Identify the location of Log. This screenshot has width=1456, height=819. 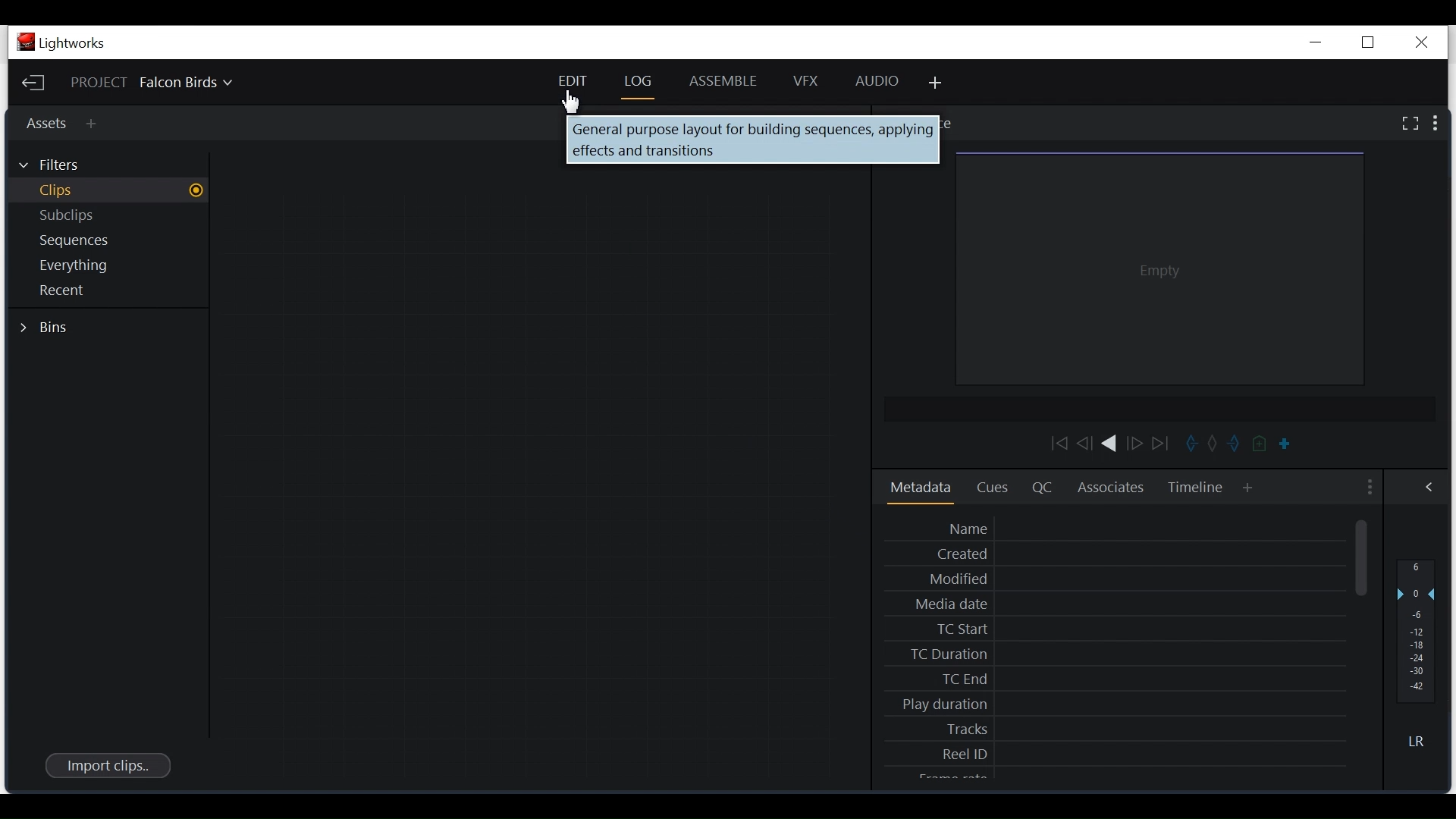
(638, 80).